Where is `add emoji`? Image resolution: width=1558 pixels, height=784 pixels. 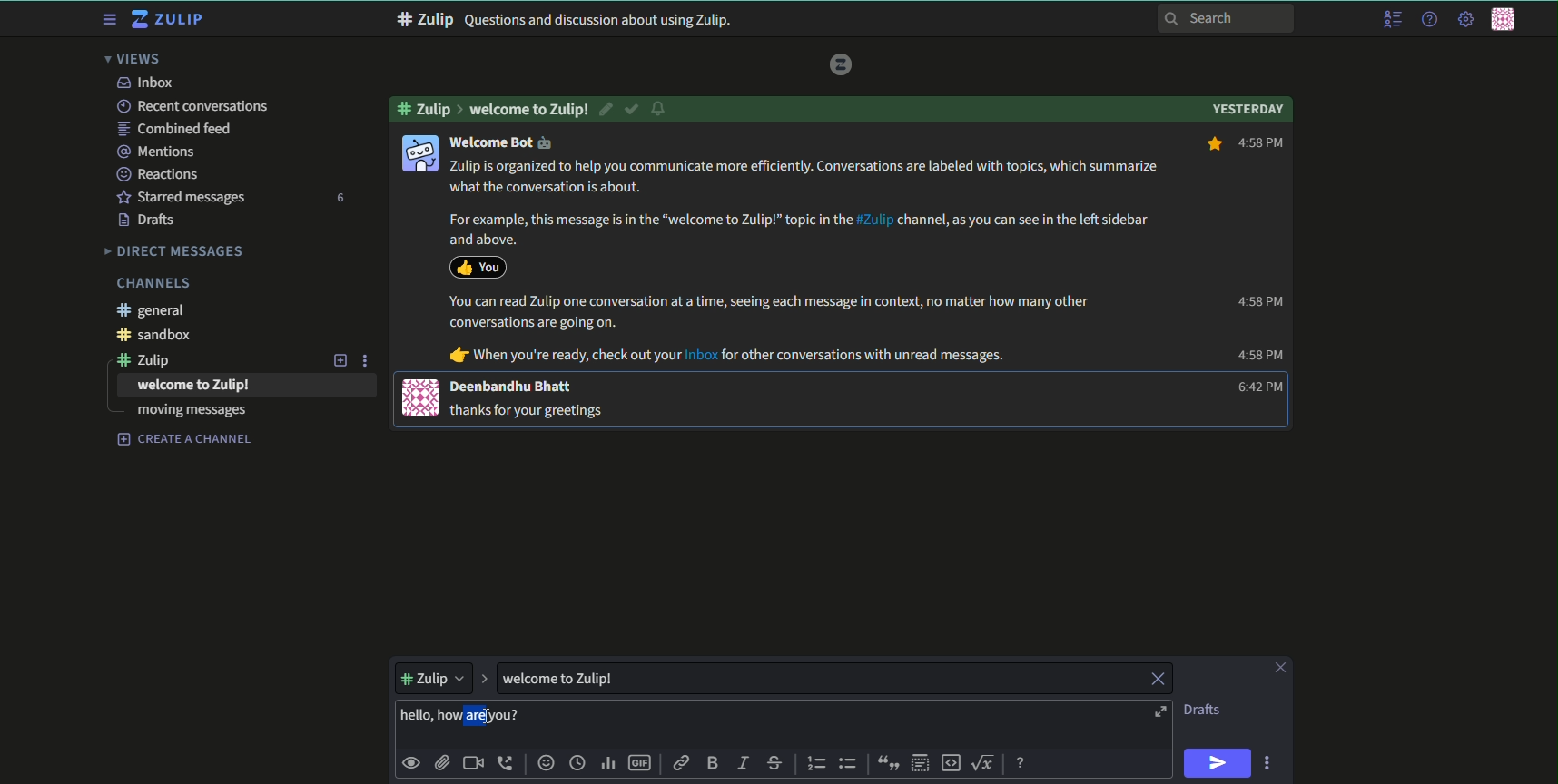 add emoji is located at coordinates (545, 763).